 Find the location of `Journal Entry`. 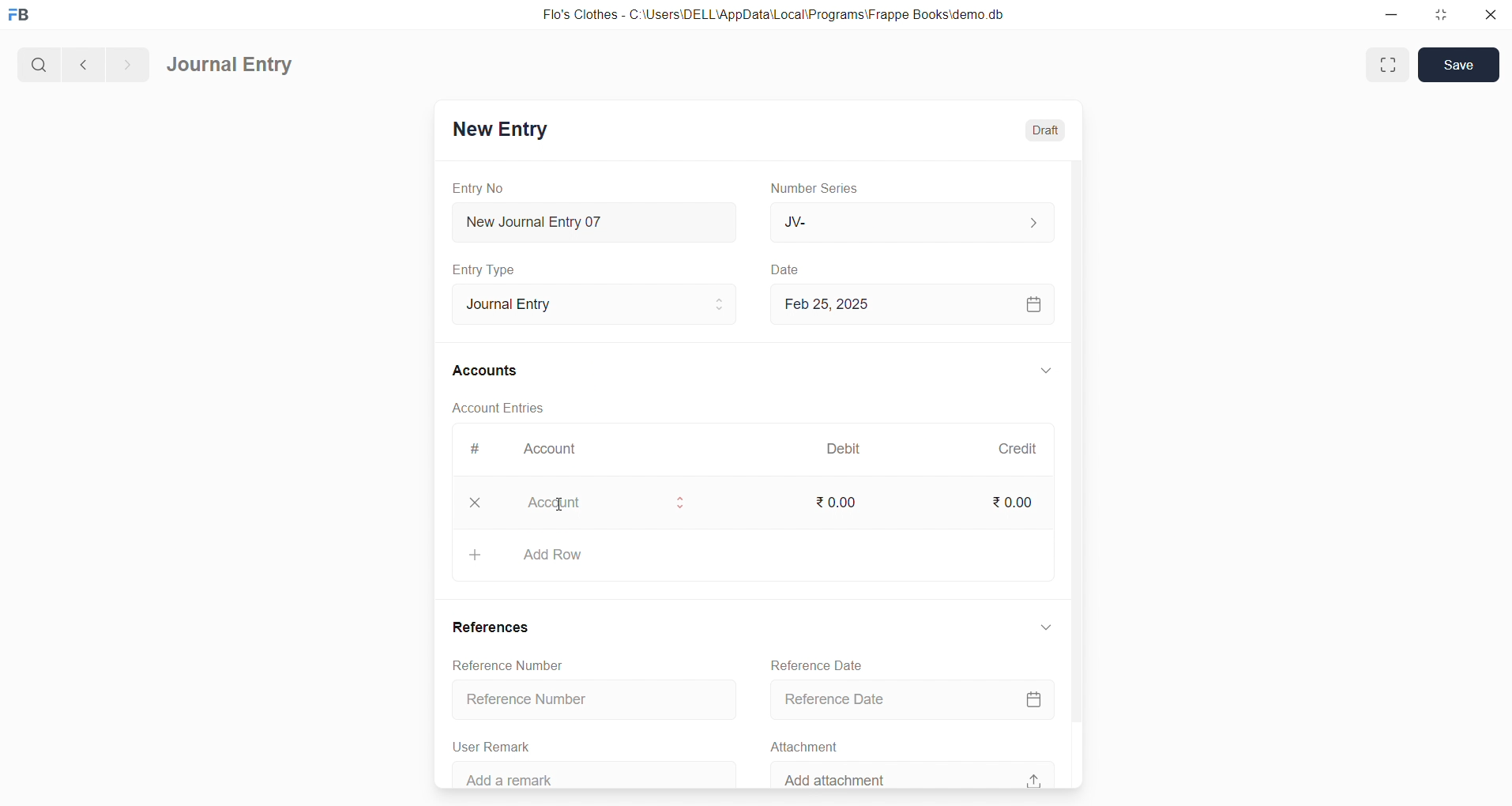

Journal Entry is located at coordinates (589, 304).